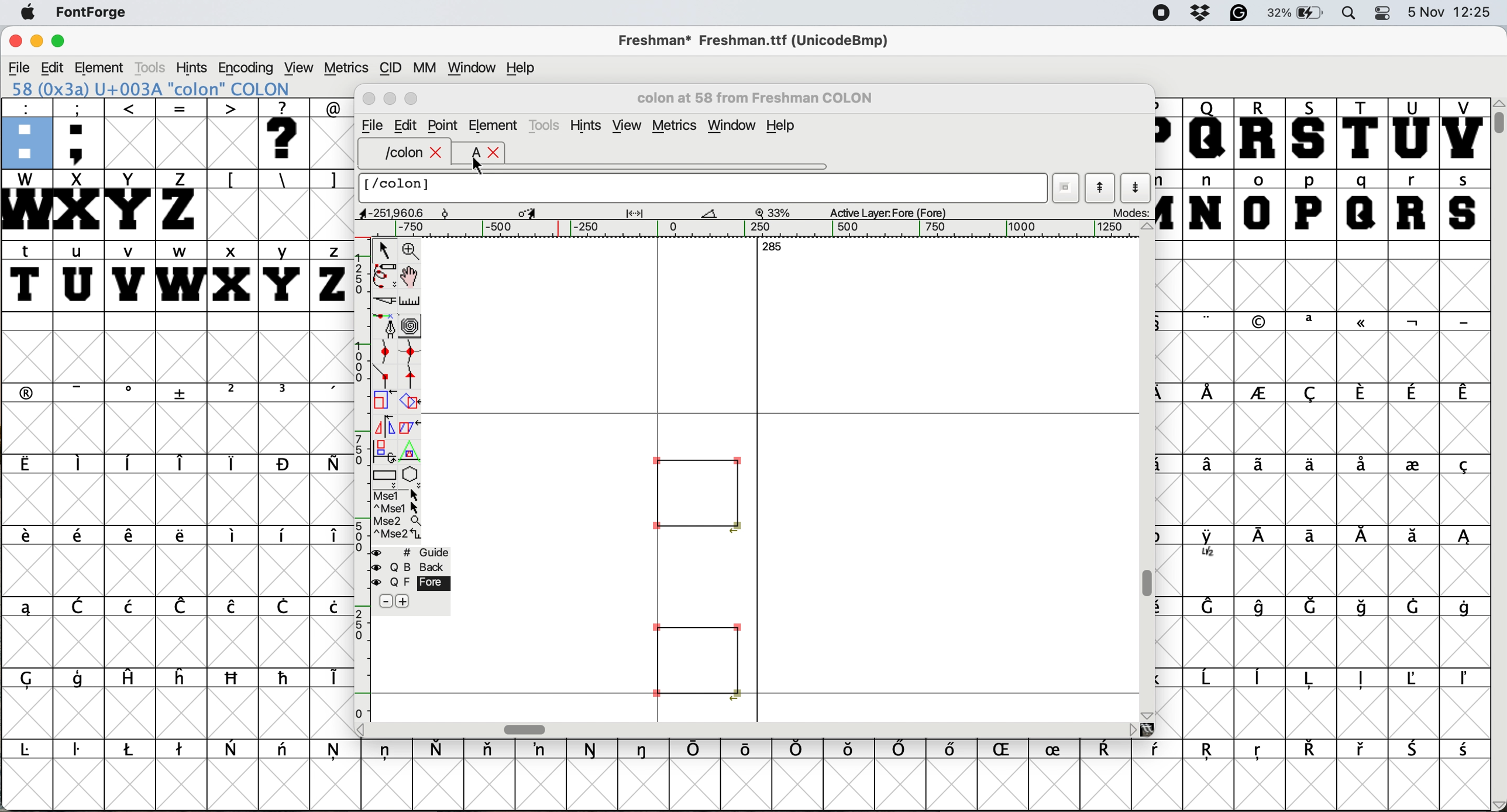 The height and width of the screenshot is (812, 1507). I want to click on symbol, so click(1363, 749).